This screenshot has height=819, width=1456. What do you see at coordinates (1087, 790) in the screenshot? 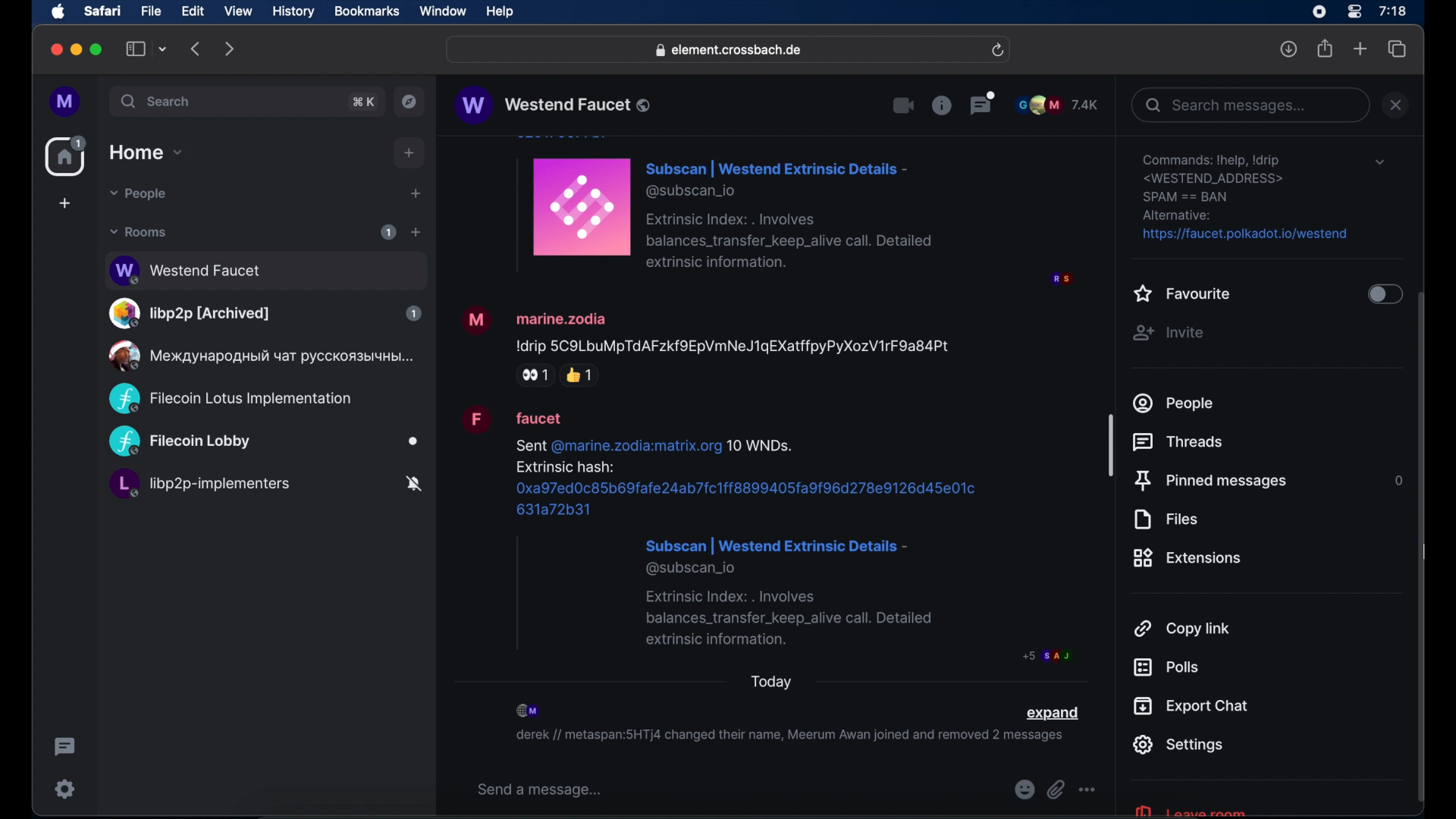
I see `more options` at bounding box center [1087, 790].